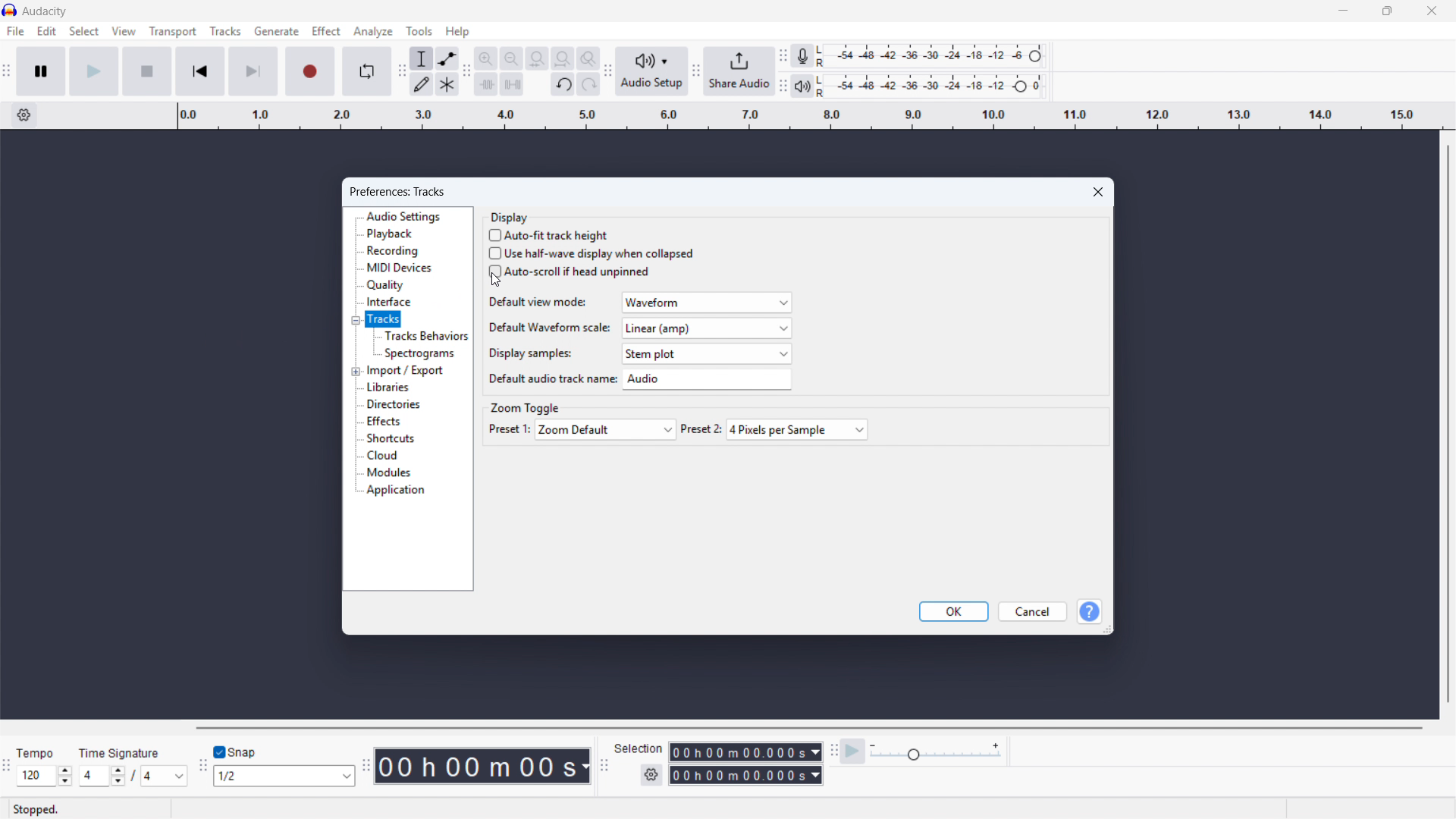 Image resolution: width=1456 pixels, height=819 pixels. I want to click on fit selection to width, so click(537, 58).